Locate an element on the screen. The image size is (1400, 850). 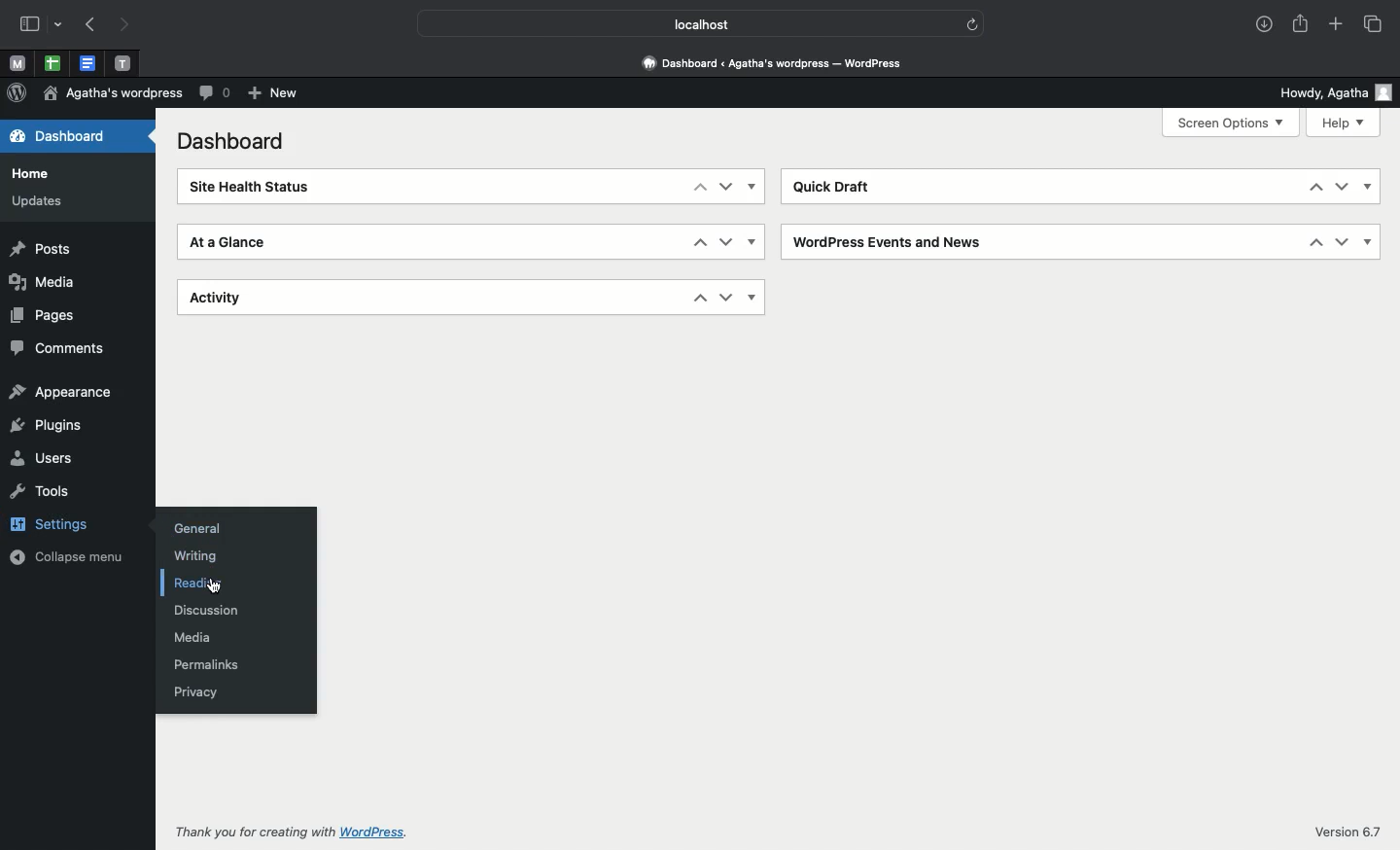
Show is located at coordinates (1369, 241).